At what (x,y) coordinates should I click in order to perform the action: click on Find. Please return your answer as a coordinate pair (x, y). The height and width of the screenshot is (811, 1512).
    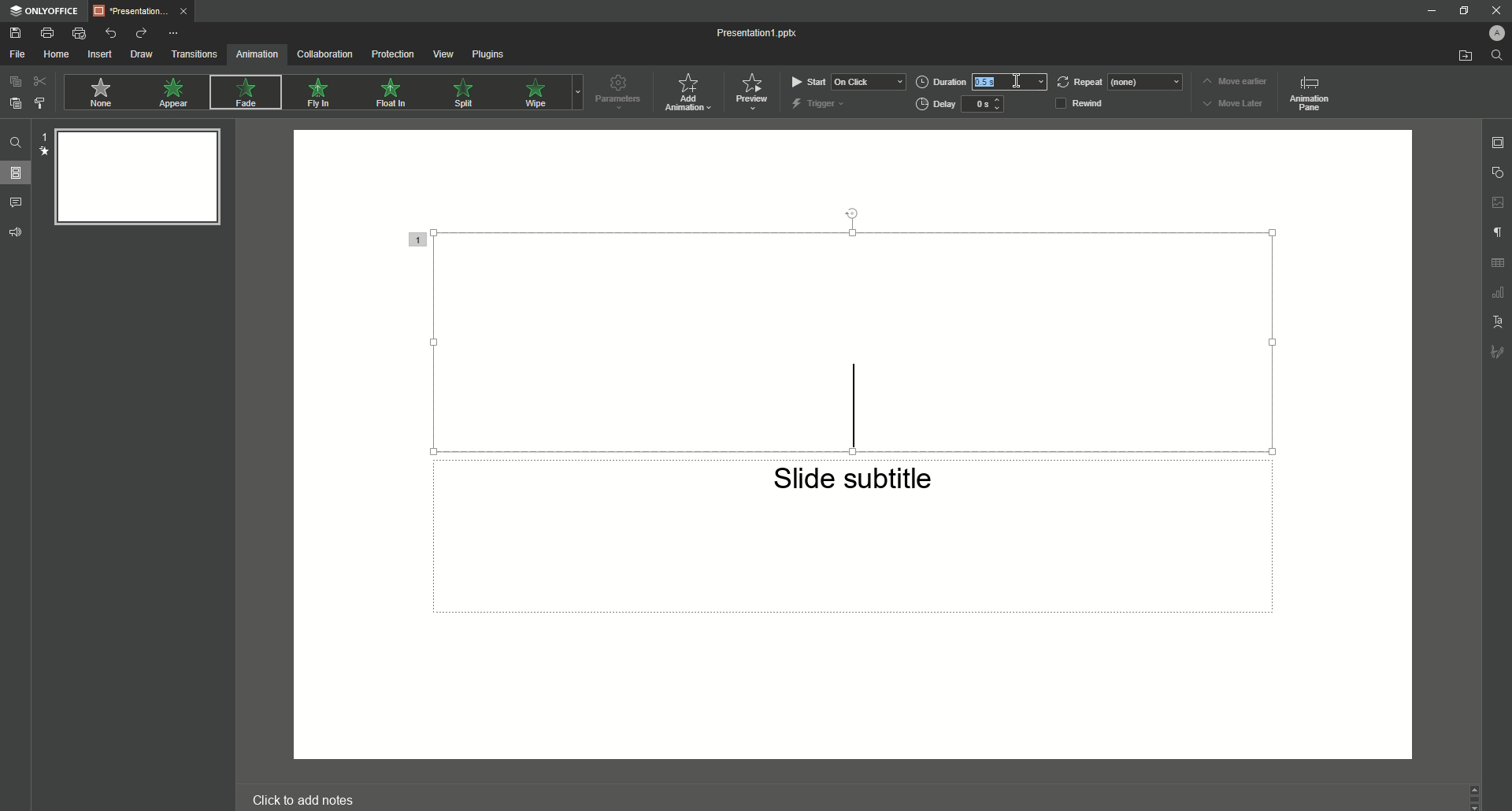
    Looking at the image, I should click on (1497, 54).